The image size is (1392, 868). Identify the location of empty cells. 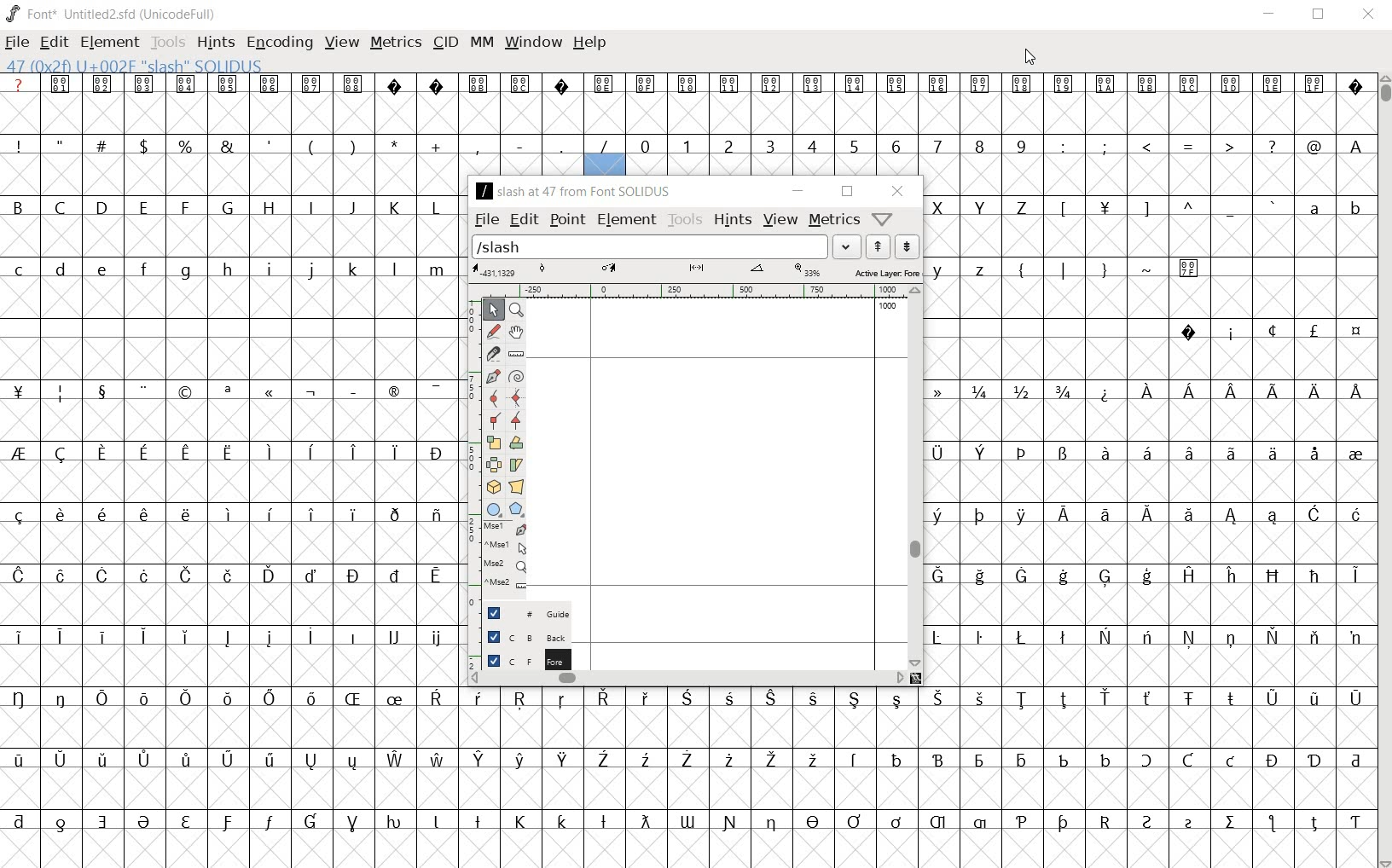
(1149, 299).